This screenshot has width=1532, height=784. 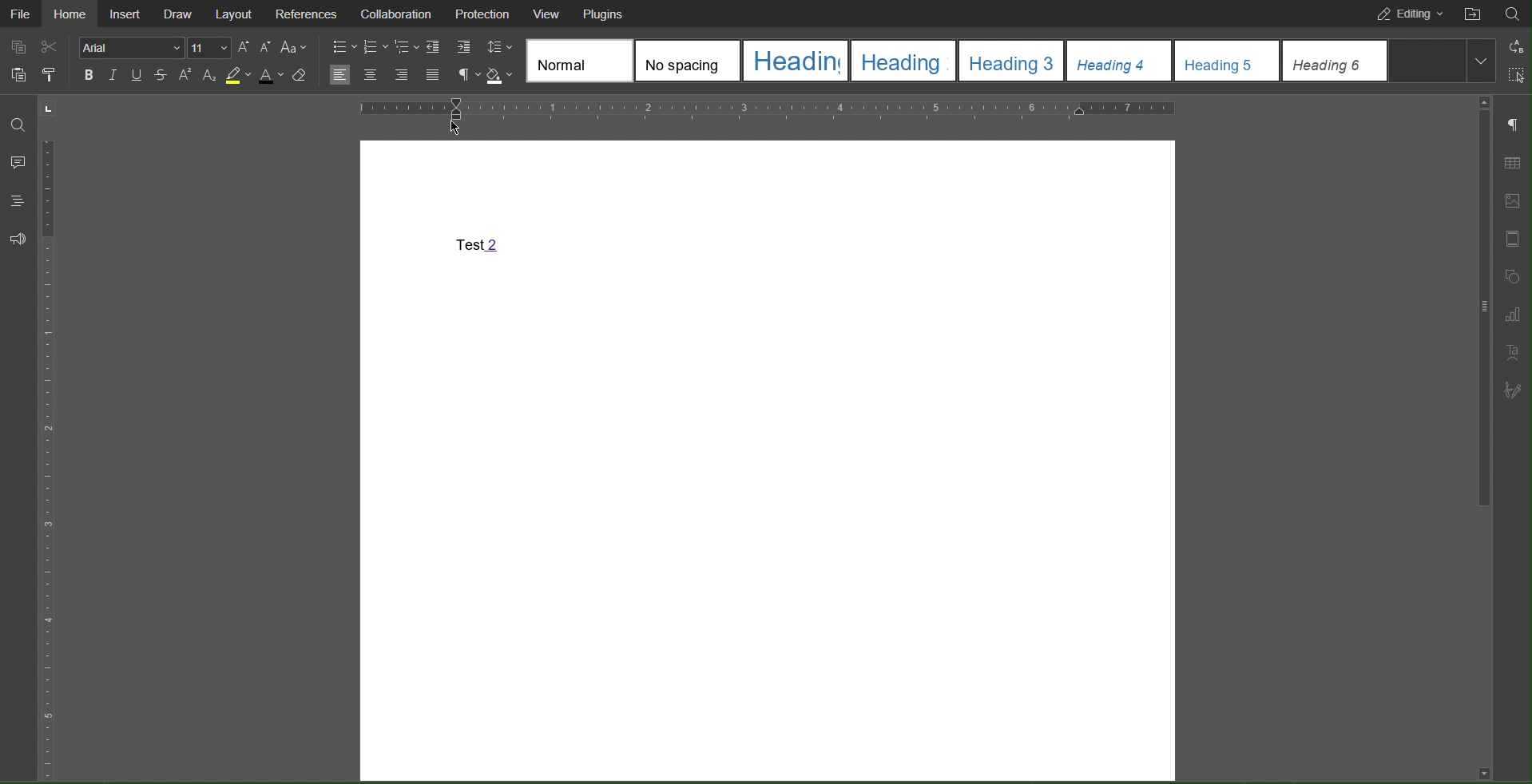 What do you see at coordinates (246, 46) in the screenshot?
I see `Increase Text Size` at bounding box center [246, 46].